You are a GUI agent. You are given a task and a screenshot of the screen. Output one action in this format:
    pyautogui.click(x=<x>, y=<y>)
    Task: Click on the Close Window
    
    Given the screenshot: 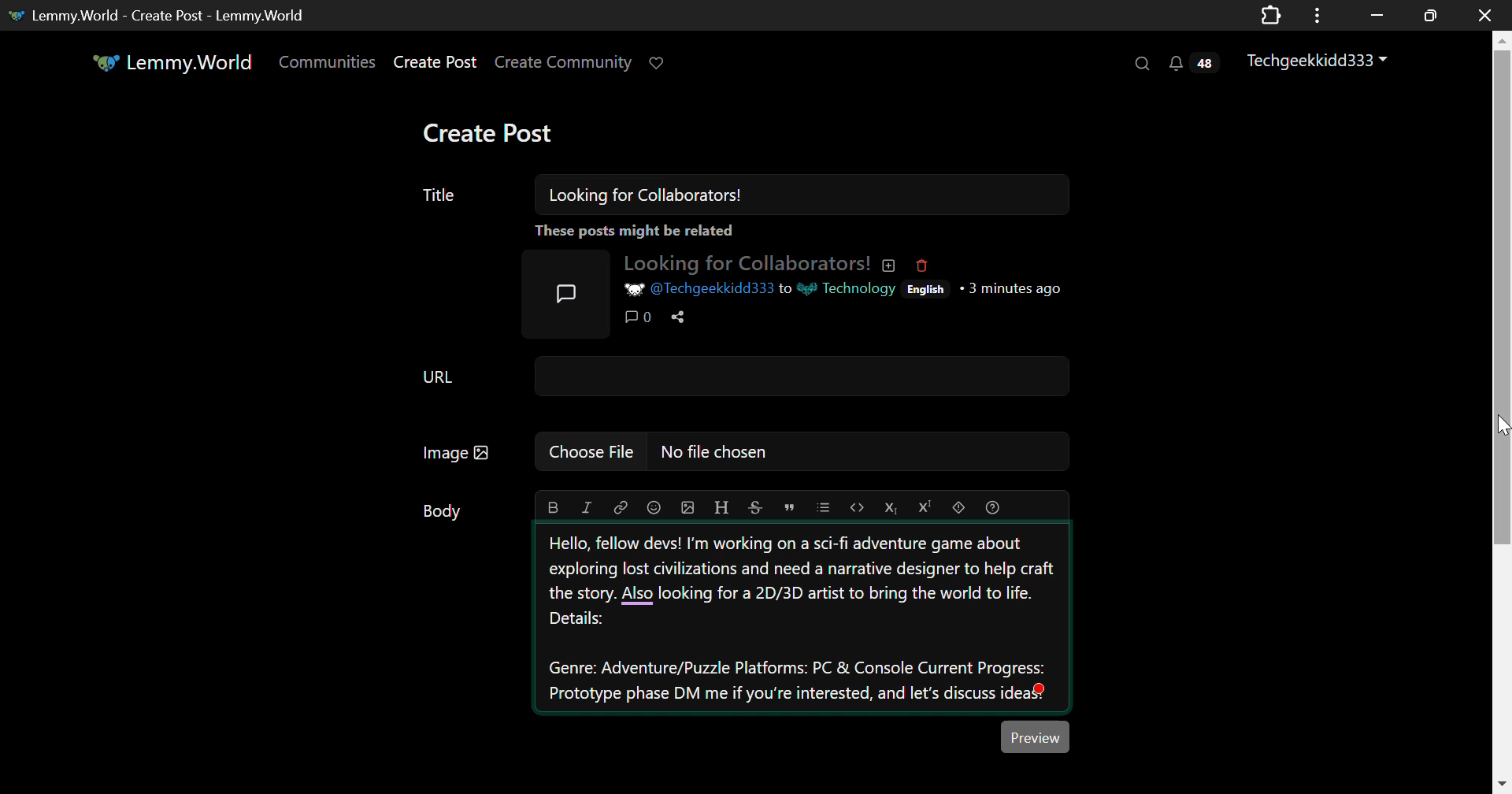 What is the action you would take?
    pyautogui.click(x=1480, y=16)
    